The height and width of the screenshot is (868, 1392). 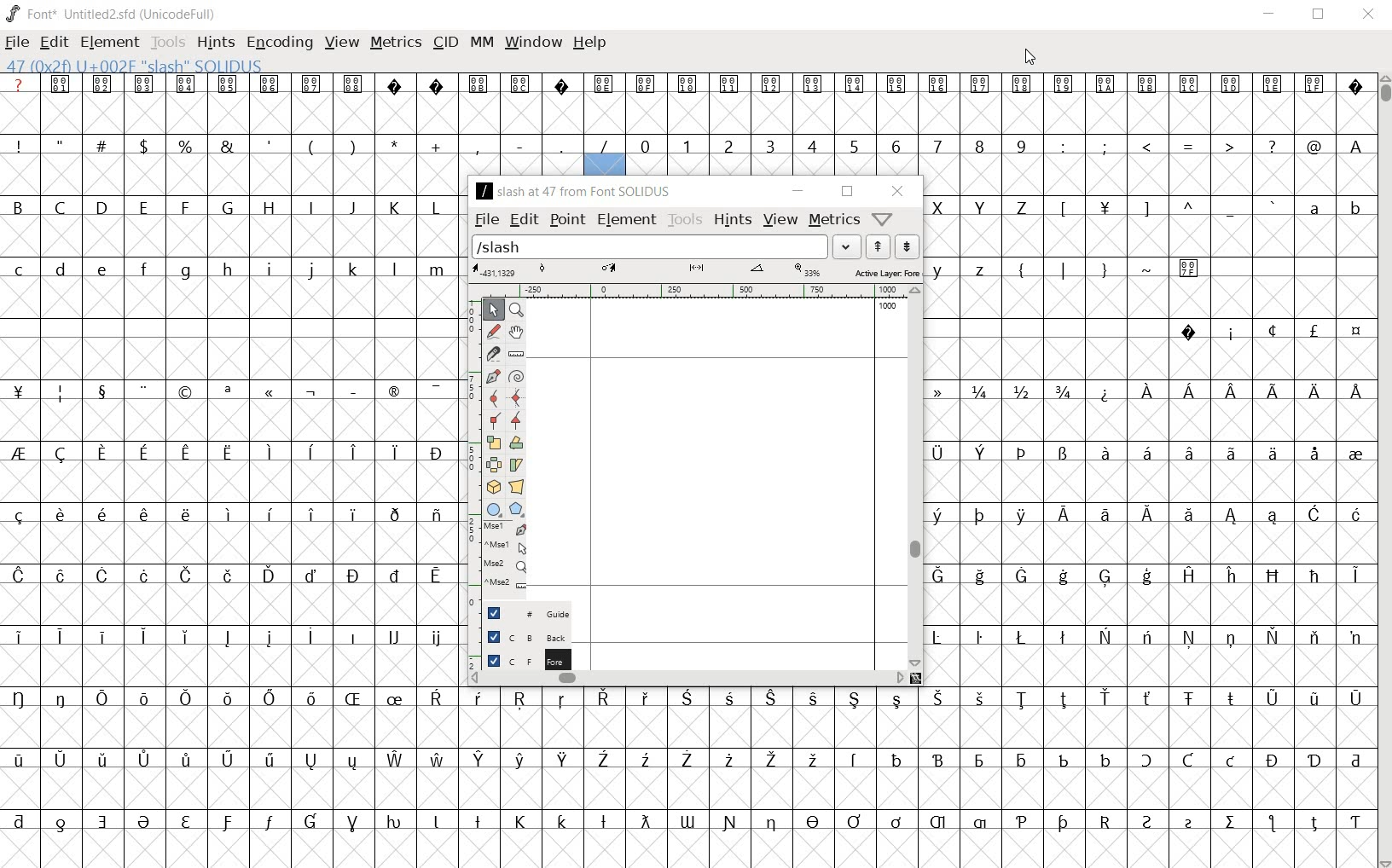 What do you see at coordinates (342, 43) in the screenshot?
I see `VIEW` at bounding box center [342, 43].